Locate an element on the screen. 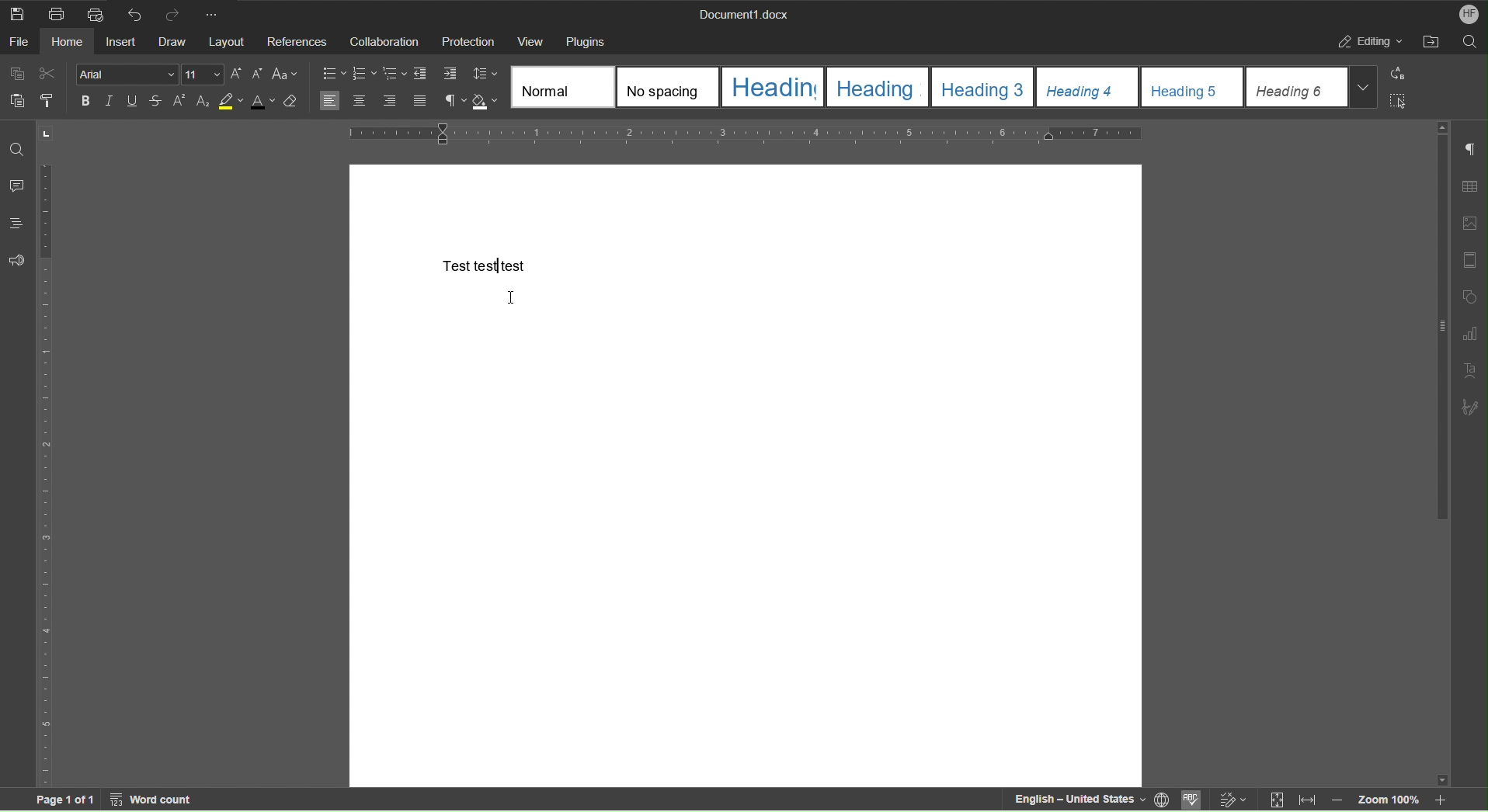  Italics is located at coordinates (110, 102).